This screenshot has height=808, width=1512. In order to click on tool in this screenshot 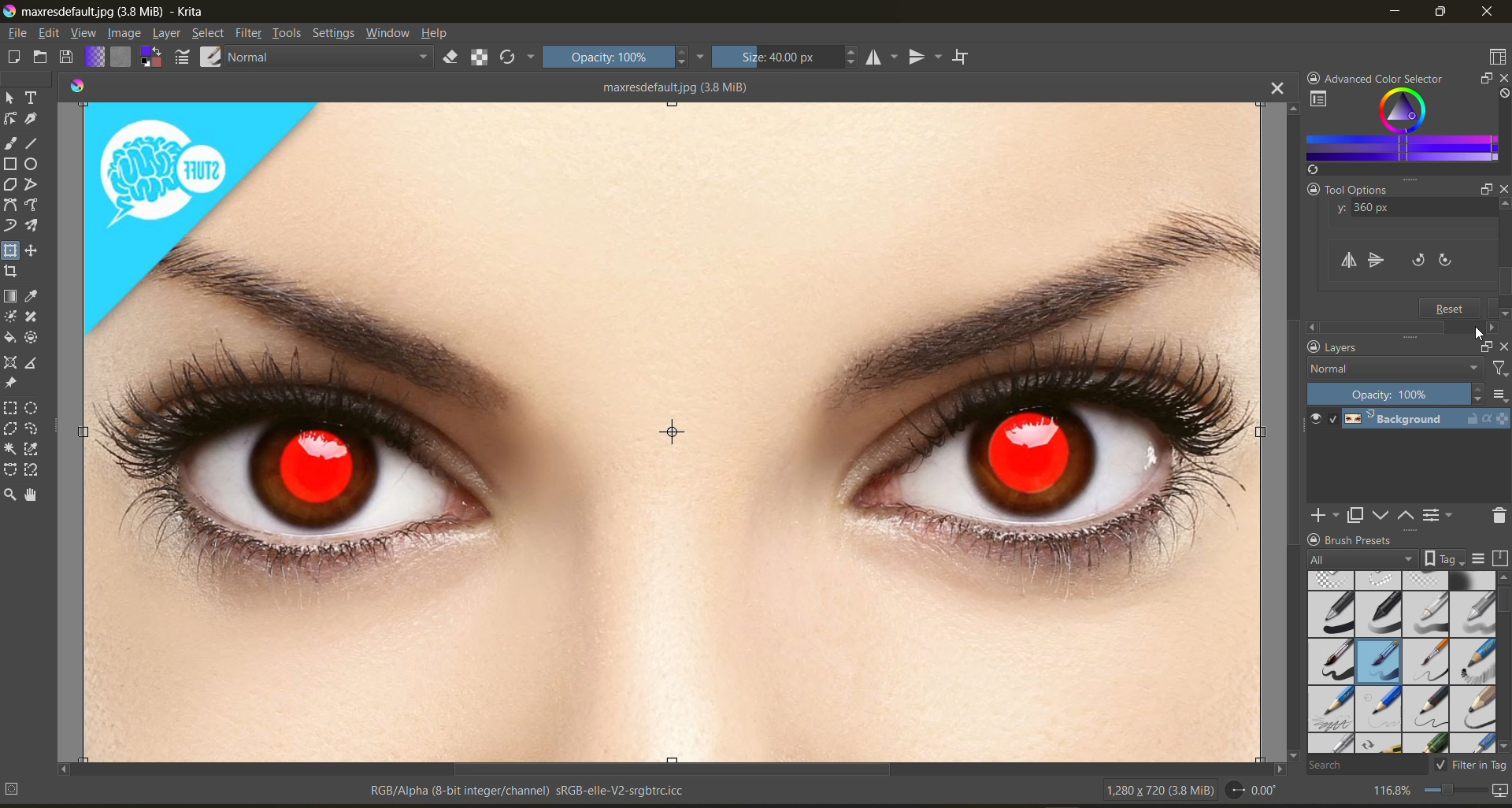, I will do `click(10, 206)`.